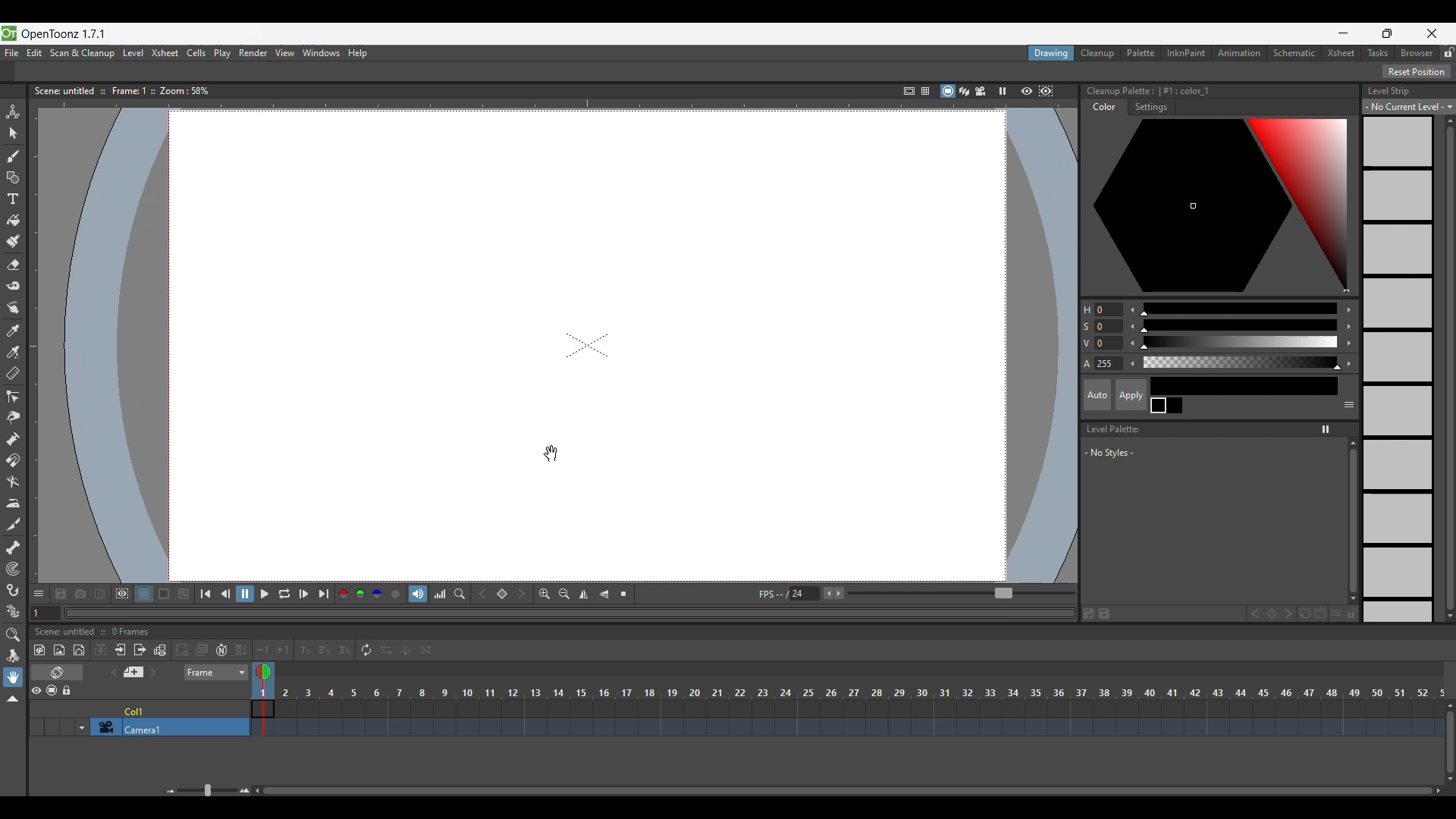 This screenshot has width=1456, height=819. Describe the element at coordinates (13, 635) in the screenshot. I see `Zoom tool` at that location.